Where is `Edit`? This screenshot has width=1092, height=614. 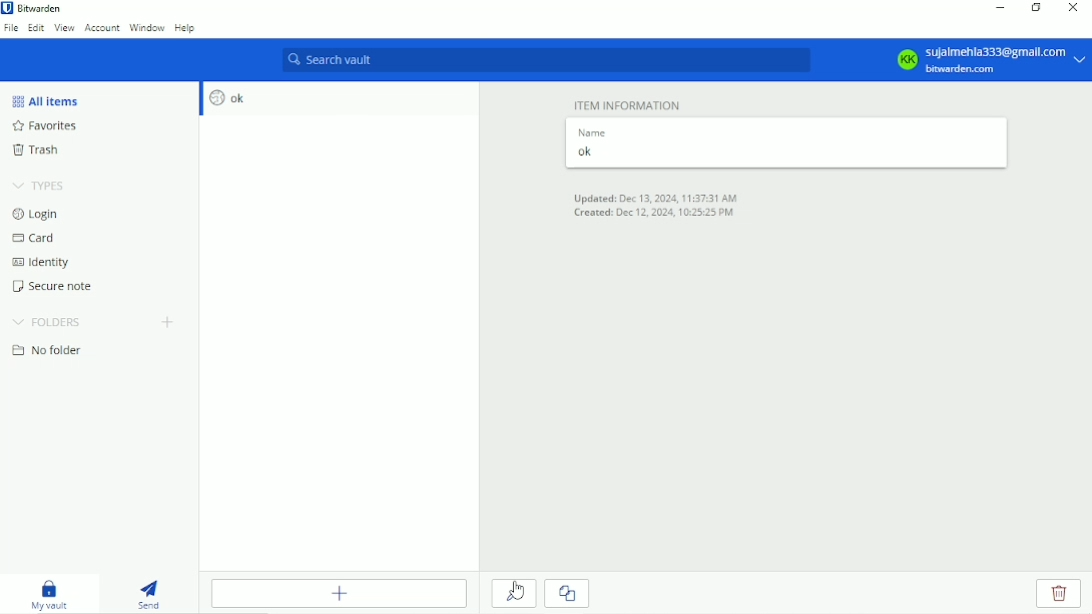
Edit is located at coordinates (36, 29).